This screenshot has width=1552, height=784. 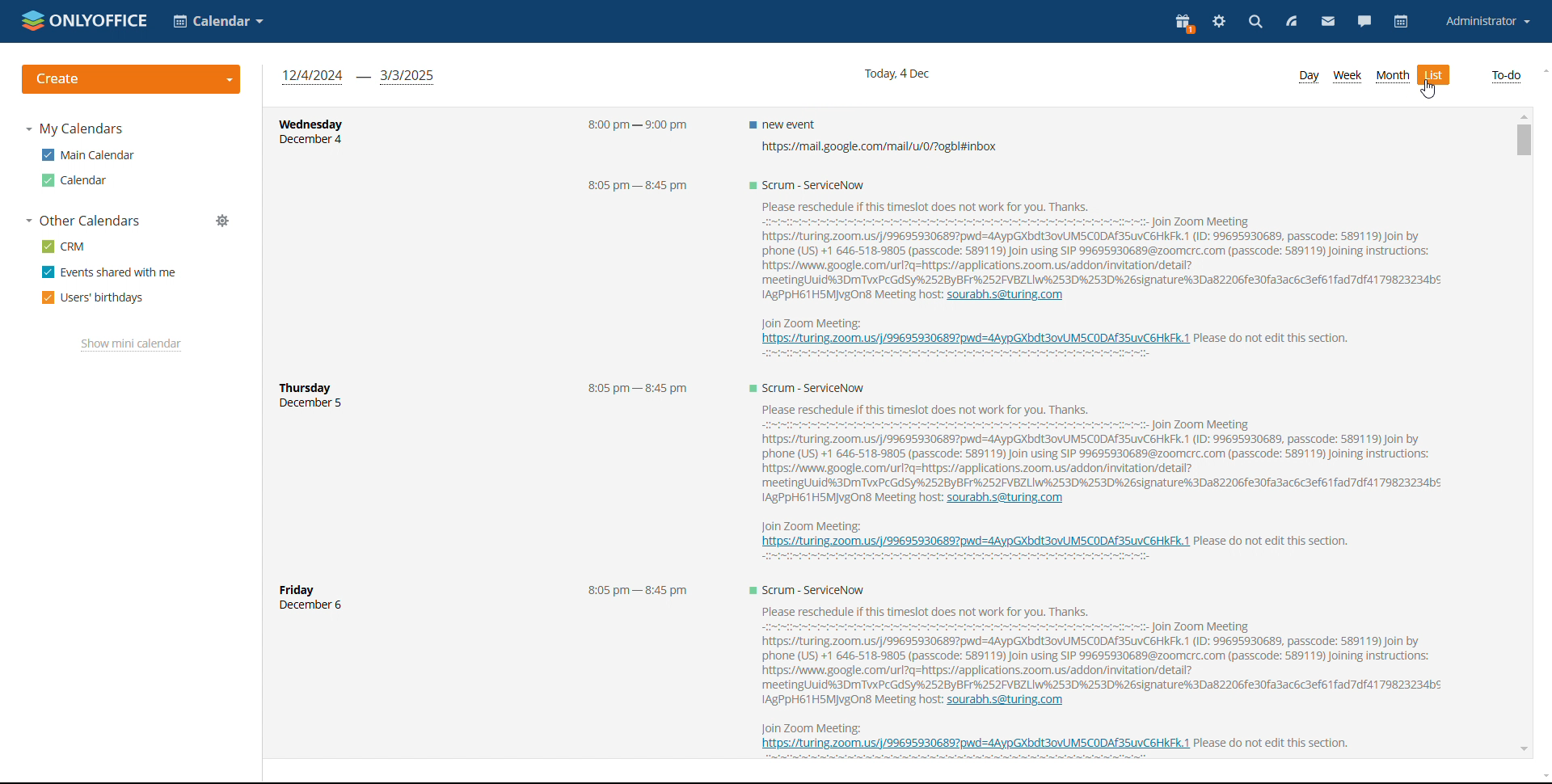 I want to click on Please reschedule if this timeslot does not work for you. Thanks.i i= [OI Zoom Meetinghitps:/turing.200m.us/}/996959306897pwd=4AYPGXbA3oVUMSCODAF3SUVCEHKFK.1 (ID: 99695930689, passcode: 589119) join byphone (US) +1 646-518-9805 (passcode: 589119) join using SIP 99695930689@zoomcrc.com (passcode: 589119) joining instructions:https://www.google.com/url?q=https://applications.zoom.us/addon/invitation/detail?meetingUuid%3DmTvxPcGdSyvi 252 BBE 25 2FVRZ!1 wd 253D%253D% 26<ignatured3Dat’ 2 206fe30fa3acec3ef6 1fad 7df4179823234b, so click(x=1094, y=444).